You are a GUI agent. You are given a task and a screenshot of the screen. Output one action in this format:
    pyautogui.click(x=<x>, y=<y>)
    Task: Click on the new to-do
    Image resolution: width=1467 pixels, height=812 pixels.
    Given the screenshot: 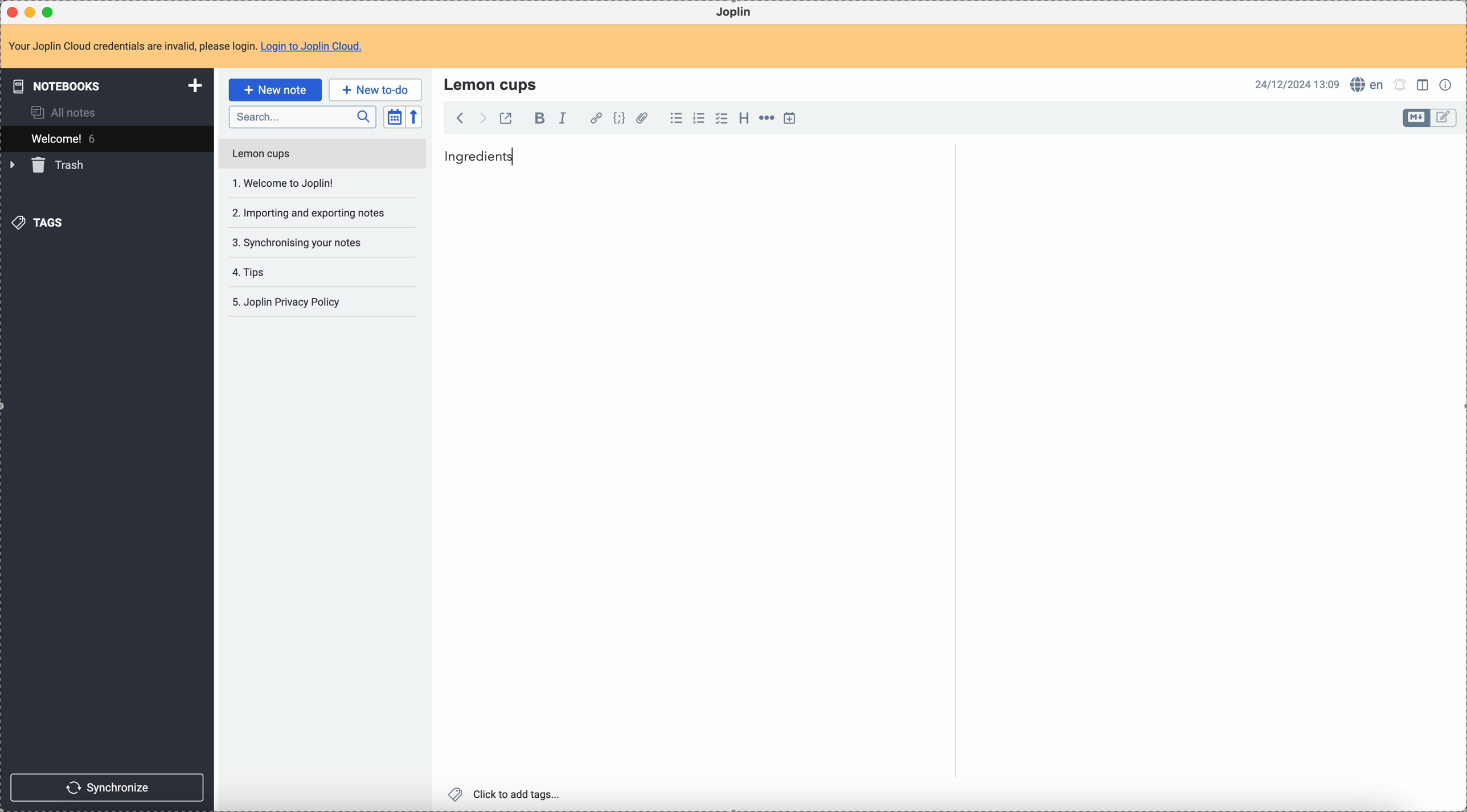 What is the action you would take?
    pyautogui.click(x=375, y=89)
    